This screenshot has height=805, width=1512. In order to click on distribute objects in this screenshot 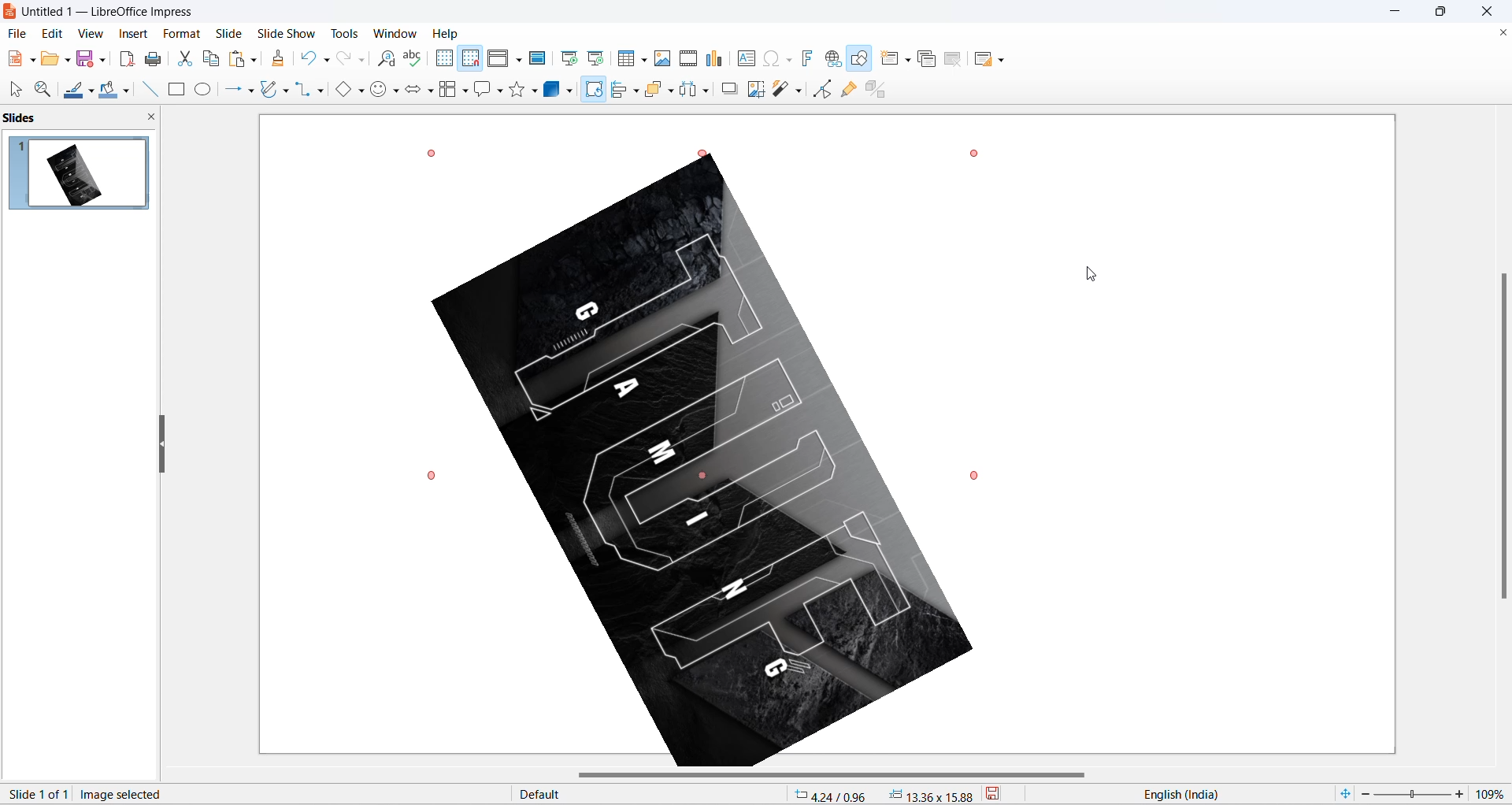, I will do `click(689, 91)`.